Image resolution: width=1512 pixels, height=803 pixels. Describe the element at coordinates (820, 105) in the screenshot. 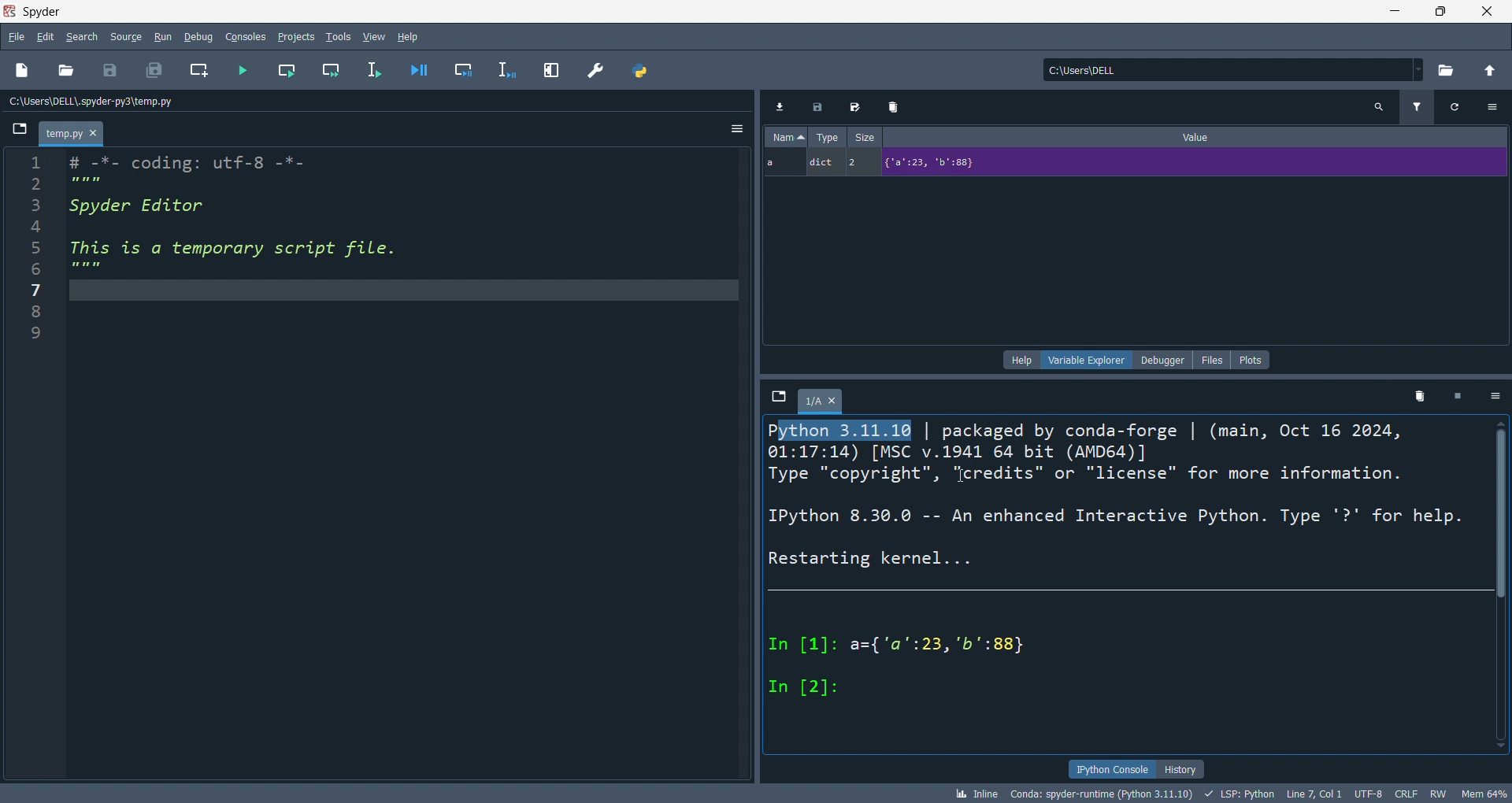

I see `save data` at that location.